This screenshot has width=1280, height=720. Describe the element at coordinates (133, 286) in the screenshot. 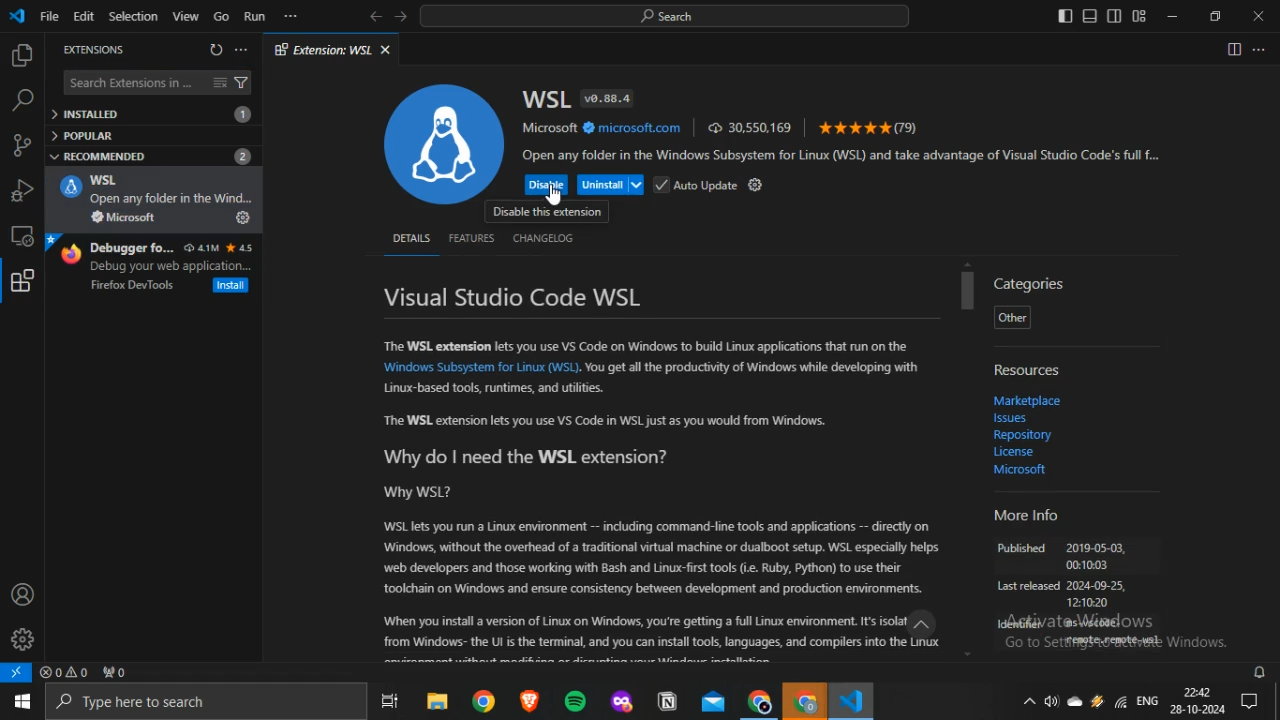

I see `Firefox DevTools` at that location.